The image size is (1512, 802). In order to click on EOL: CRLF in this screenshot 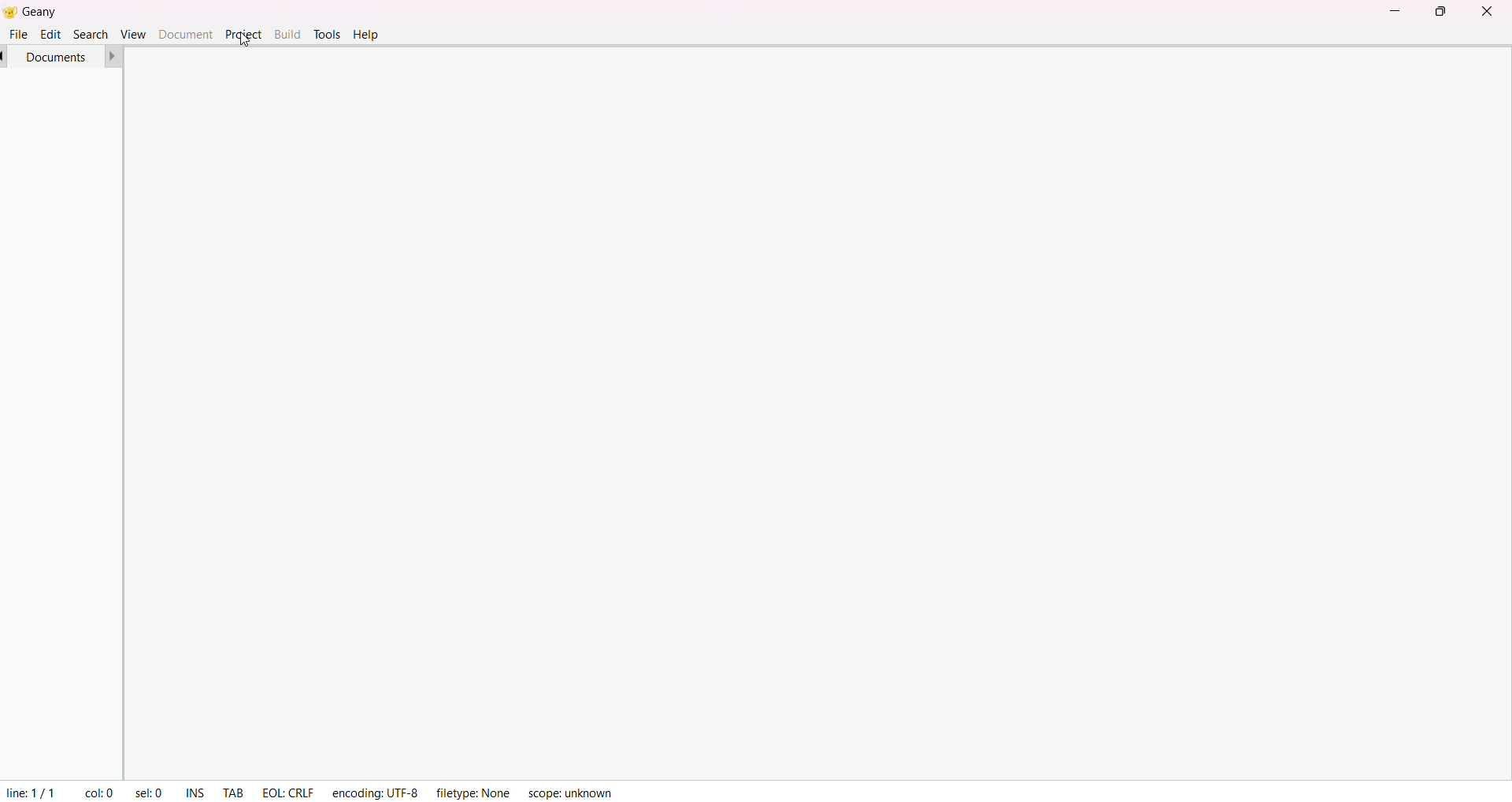, I will do `click(289, 789)`.